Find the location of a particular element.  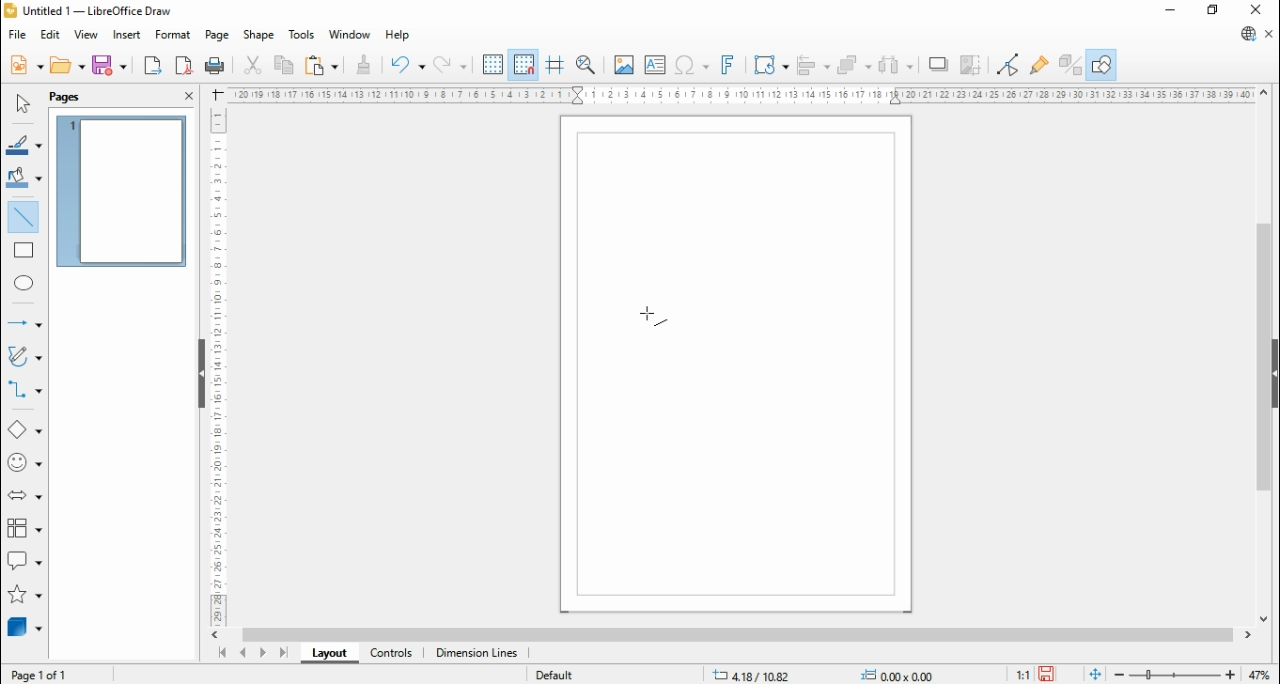

insert image is located at coordinates (623, 64).